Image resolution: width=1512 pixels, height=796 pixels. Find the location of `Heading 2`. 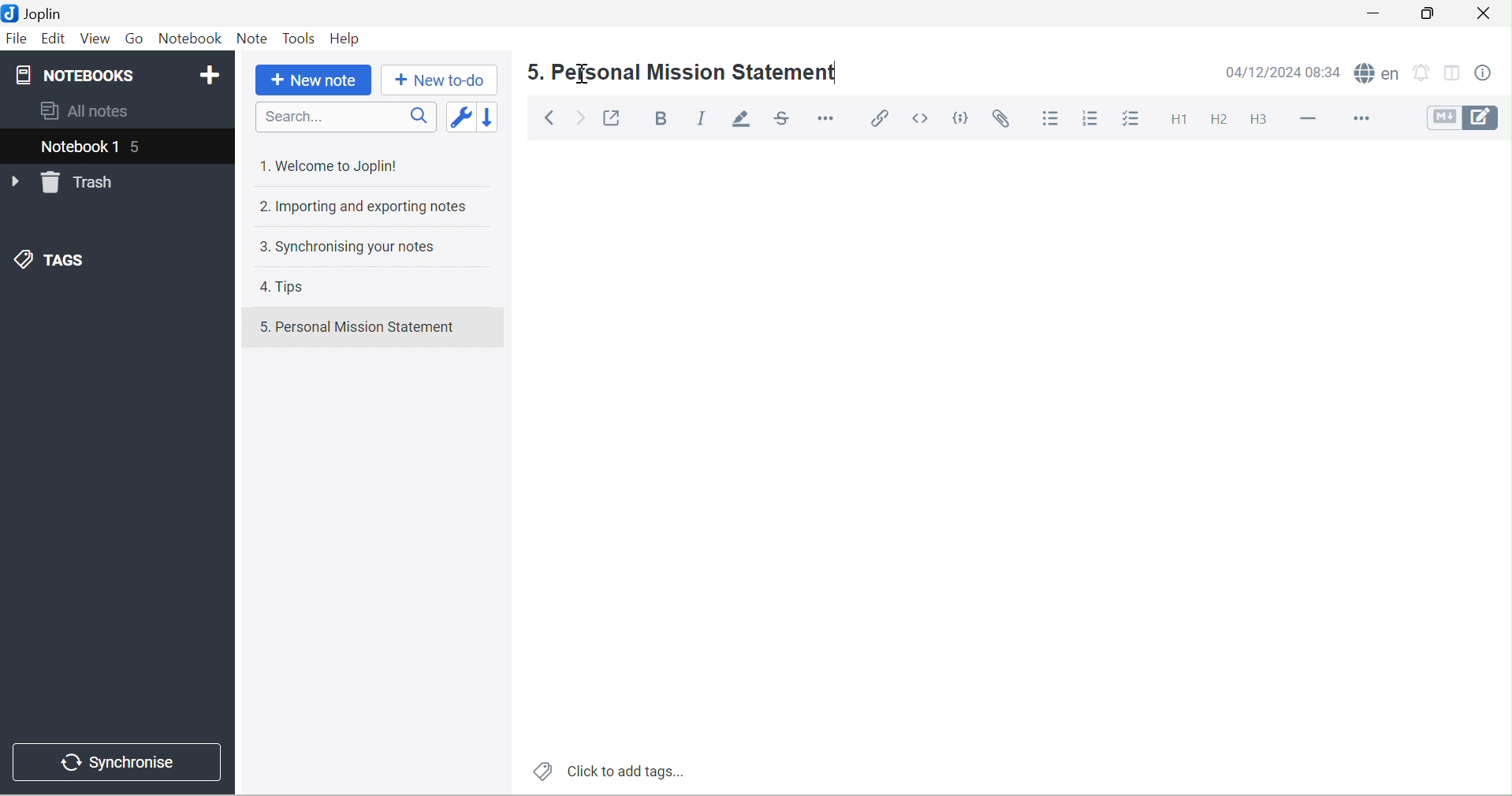

Heading 2 is located at coordinates (1221, 120).